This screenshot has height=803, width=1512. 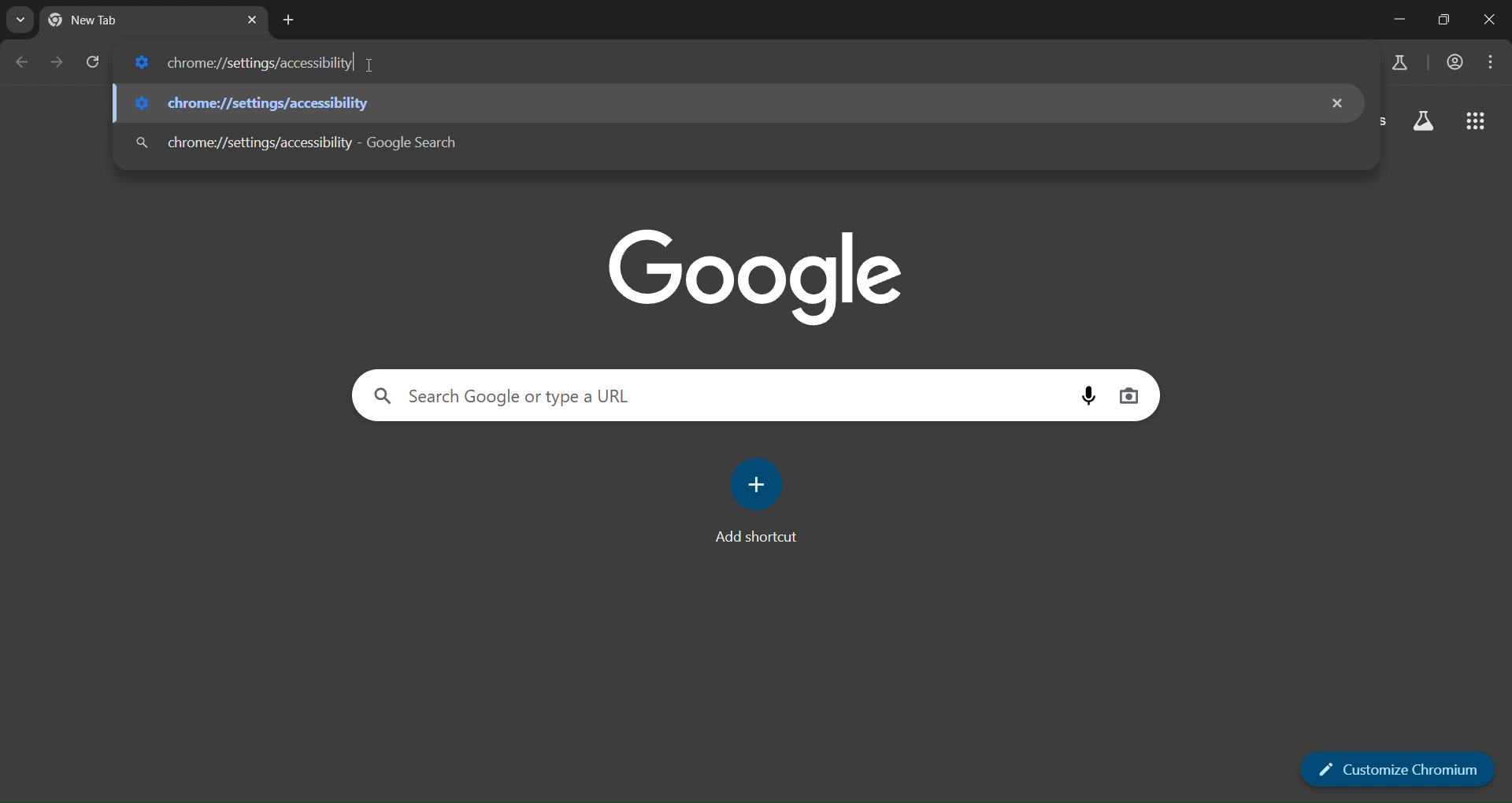 I want to click on reload page, so click(x=95, y=62).